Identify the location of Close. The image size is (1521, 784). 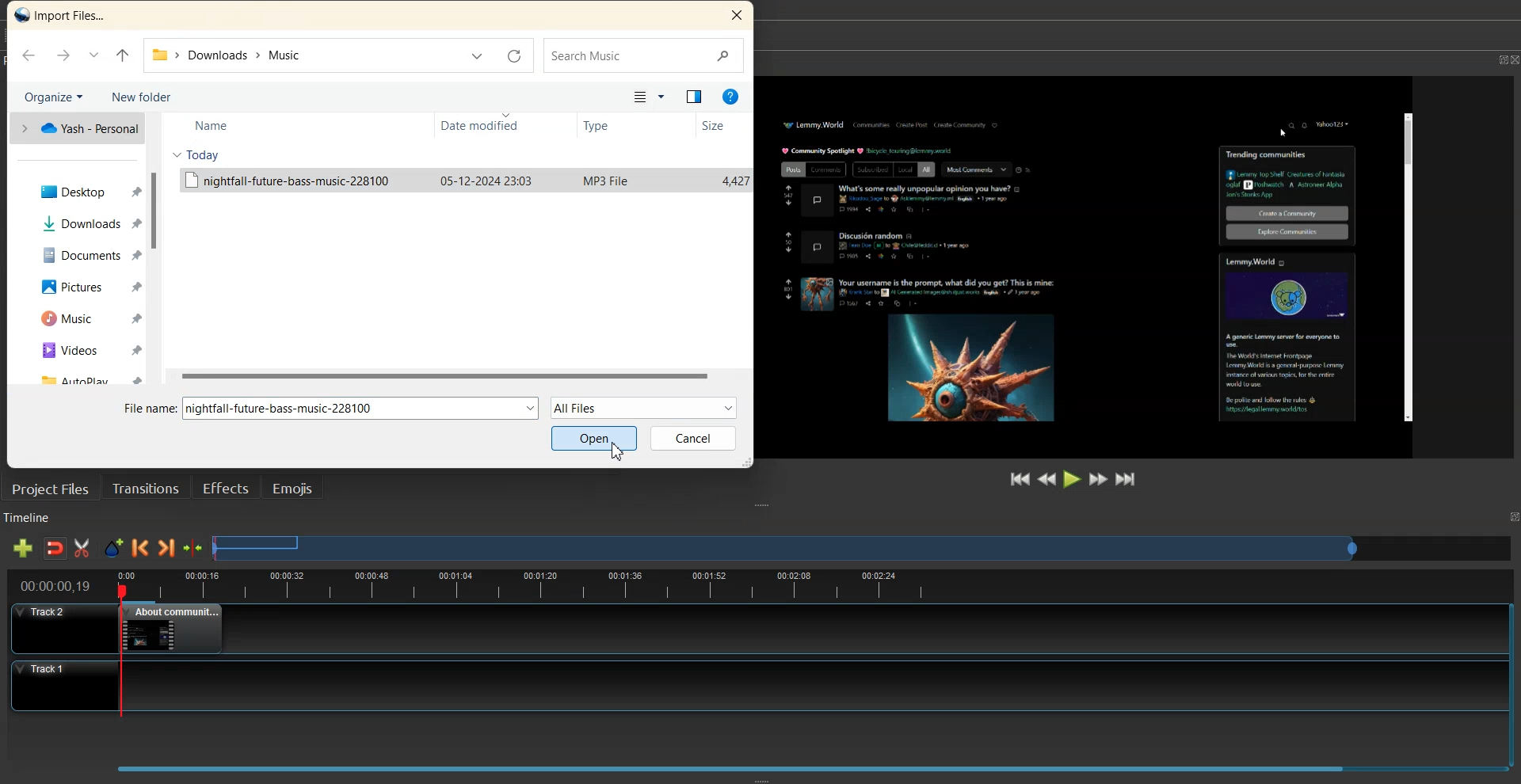
(1511, 59).